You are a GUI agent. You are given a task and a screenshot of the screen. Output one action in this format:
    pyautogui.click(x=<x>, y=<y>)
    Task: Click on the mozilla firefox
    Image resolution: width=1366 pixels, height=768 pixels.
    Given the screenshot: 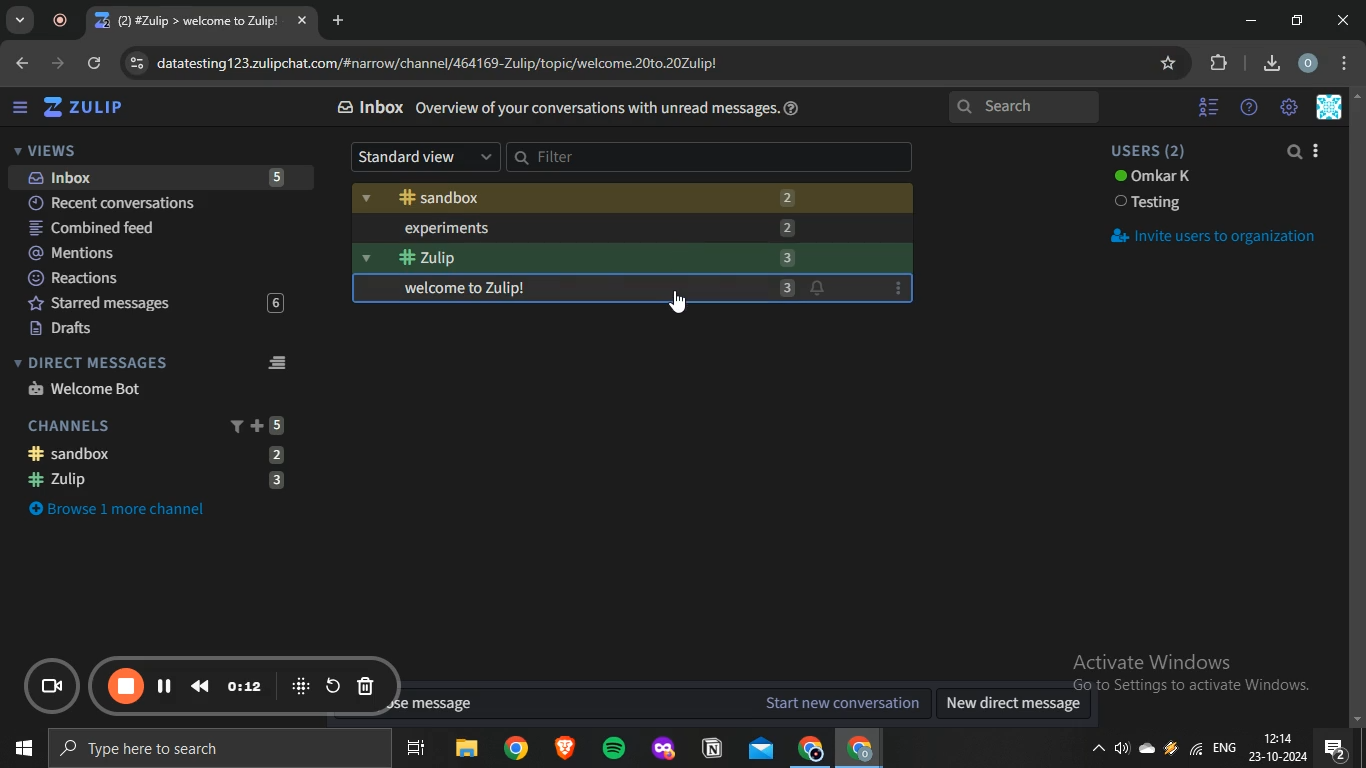 What is the action you would take?
    pyautogui.click(x=662, y=749)
    